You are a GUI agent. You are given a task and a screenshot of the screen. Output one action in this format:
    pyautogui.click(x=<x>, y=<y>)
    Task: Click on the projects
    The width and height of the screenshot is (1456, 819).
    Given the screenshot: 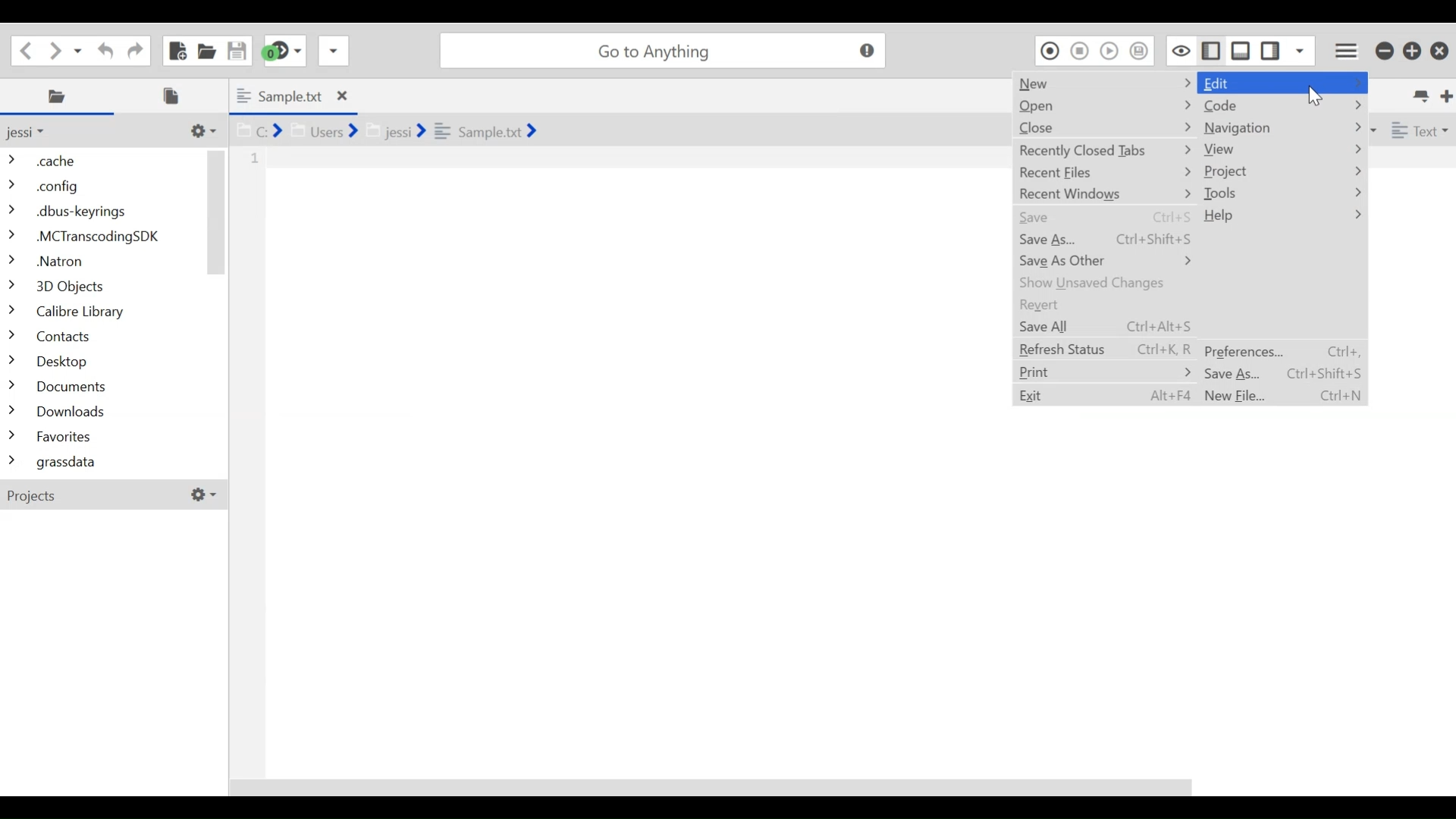 What is the action you would take?
    pyautogui.click(x=118, y=497)
    